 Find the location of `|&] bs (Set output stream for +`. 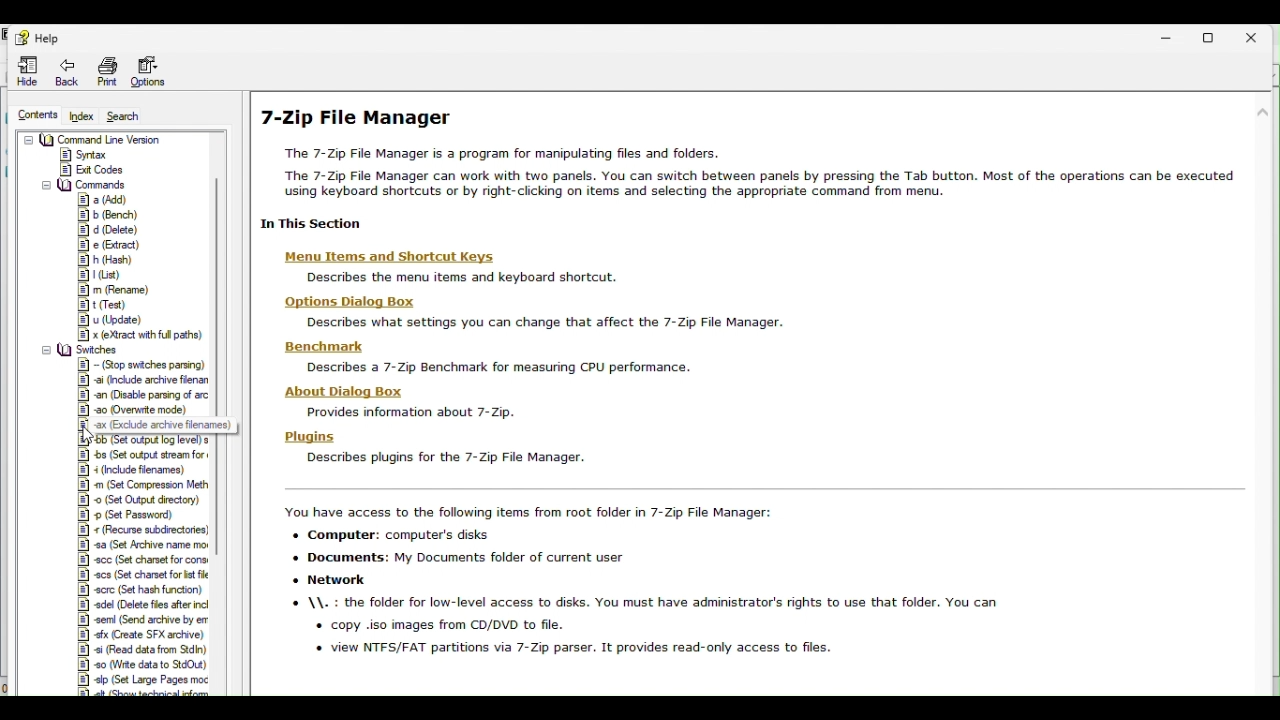

|&] bs (Set output stream for + is located at coordinates (144, 454).